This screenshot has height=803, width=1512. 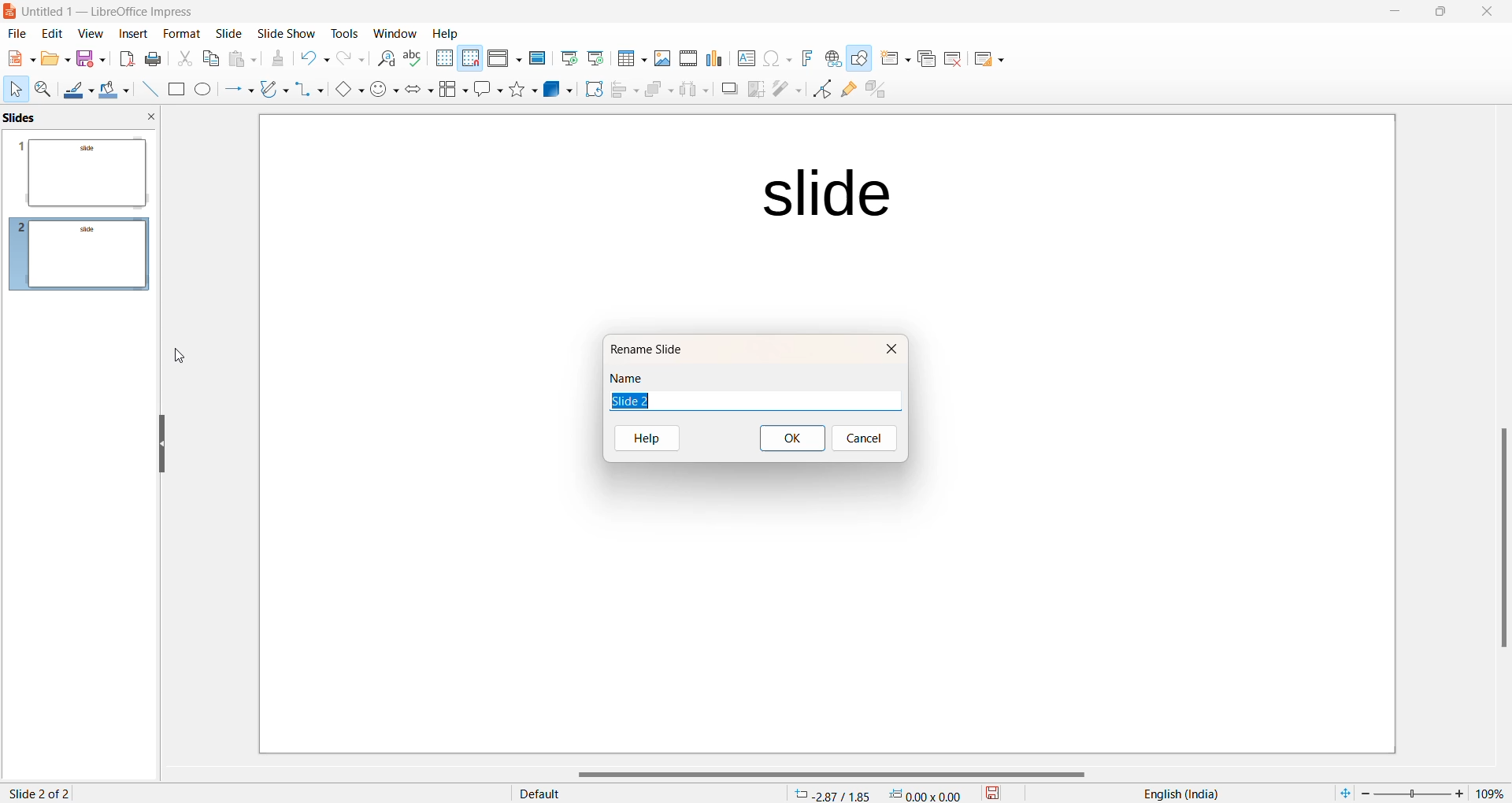 I want to click on close slide preview pane, so click(x=154, y=118).